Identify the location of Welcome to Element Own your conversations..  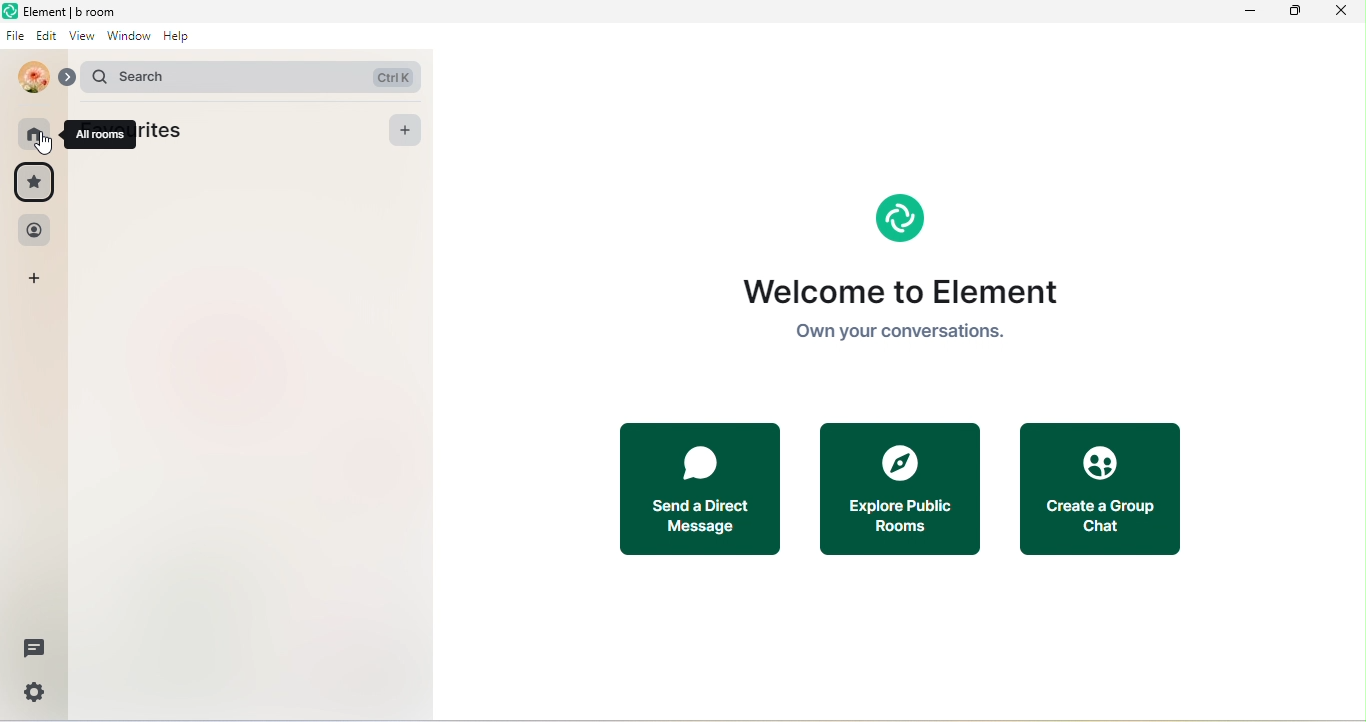
(902, 314).